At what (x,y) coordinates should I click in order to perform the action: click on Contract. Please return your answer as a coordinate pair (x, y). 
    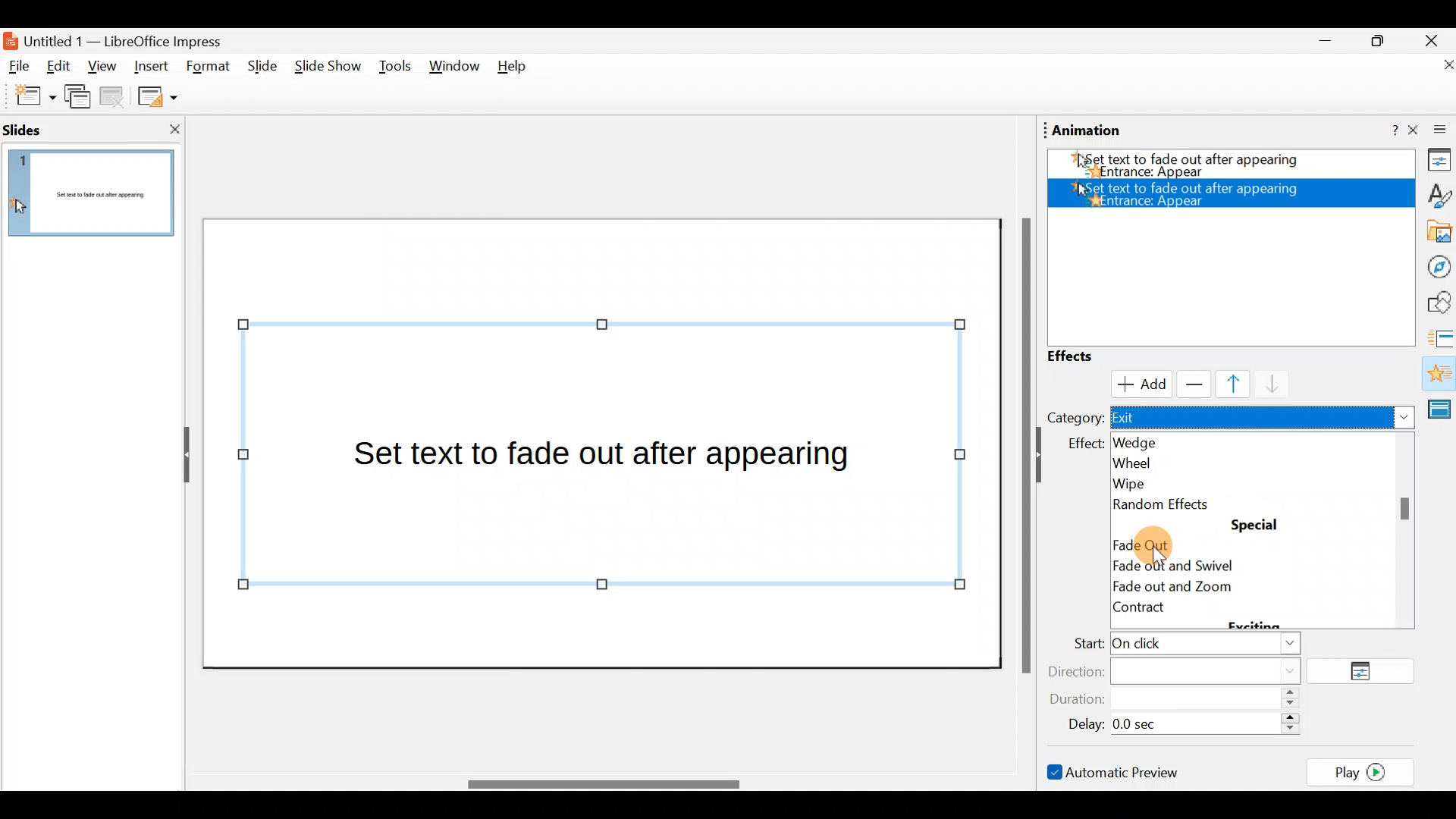
    Looking at the image, I should click on (1174, 613).